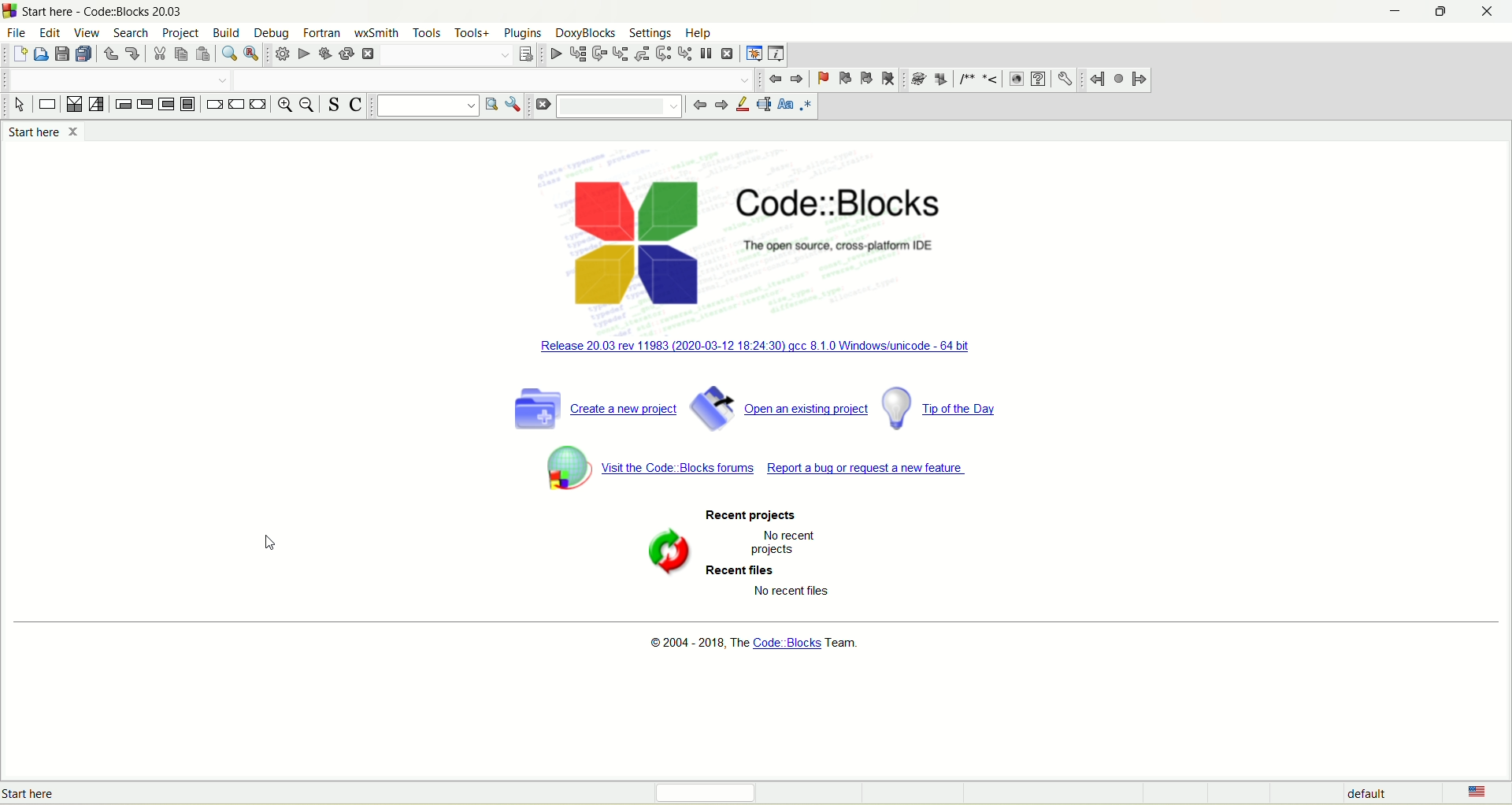  I want to click on redo, so click(132, 54).